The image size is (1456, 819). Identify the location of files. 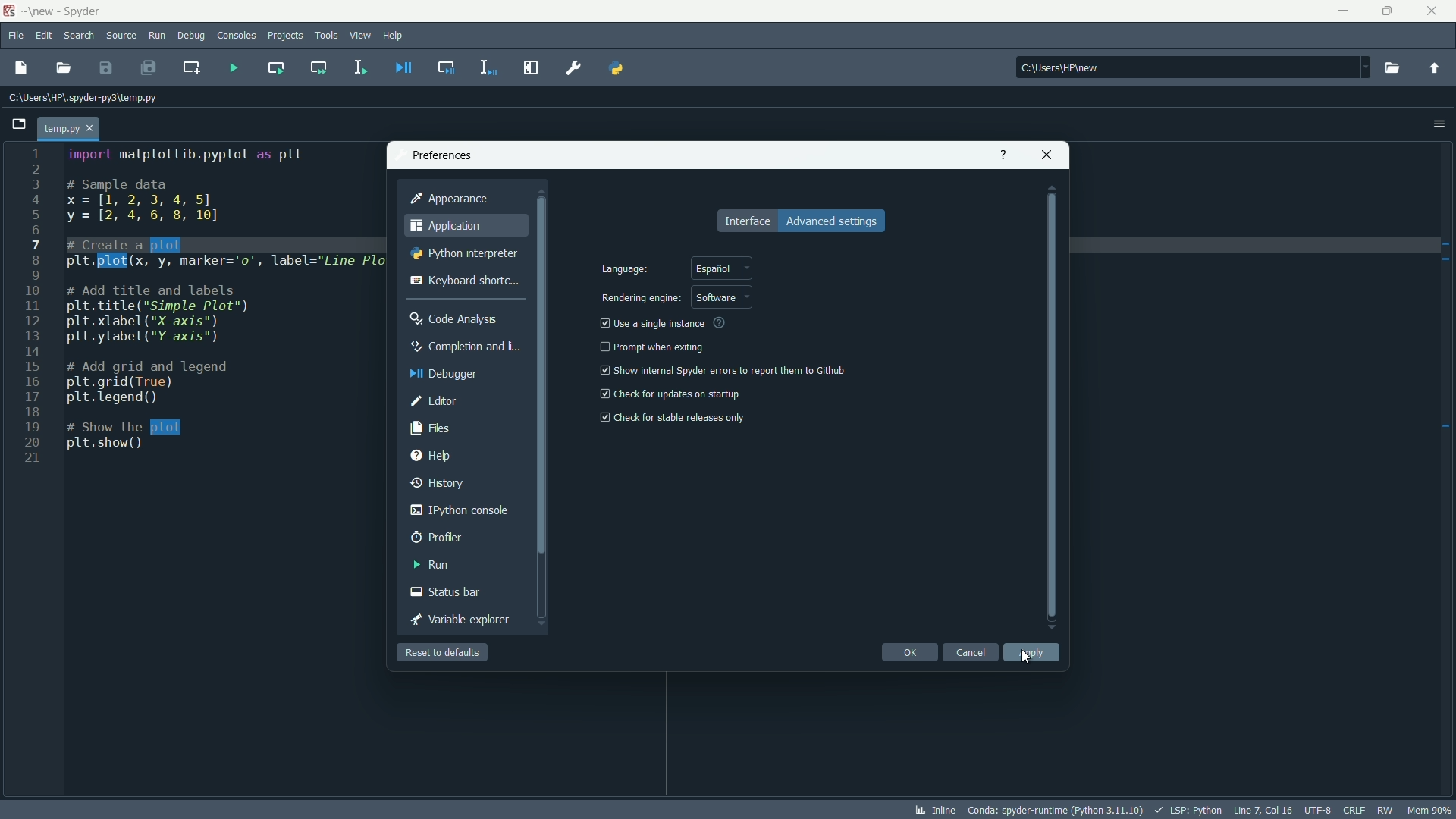
(430, 428).